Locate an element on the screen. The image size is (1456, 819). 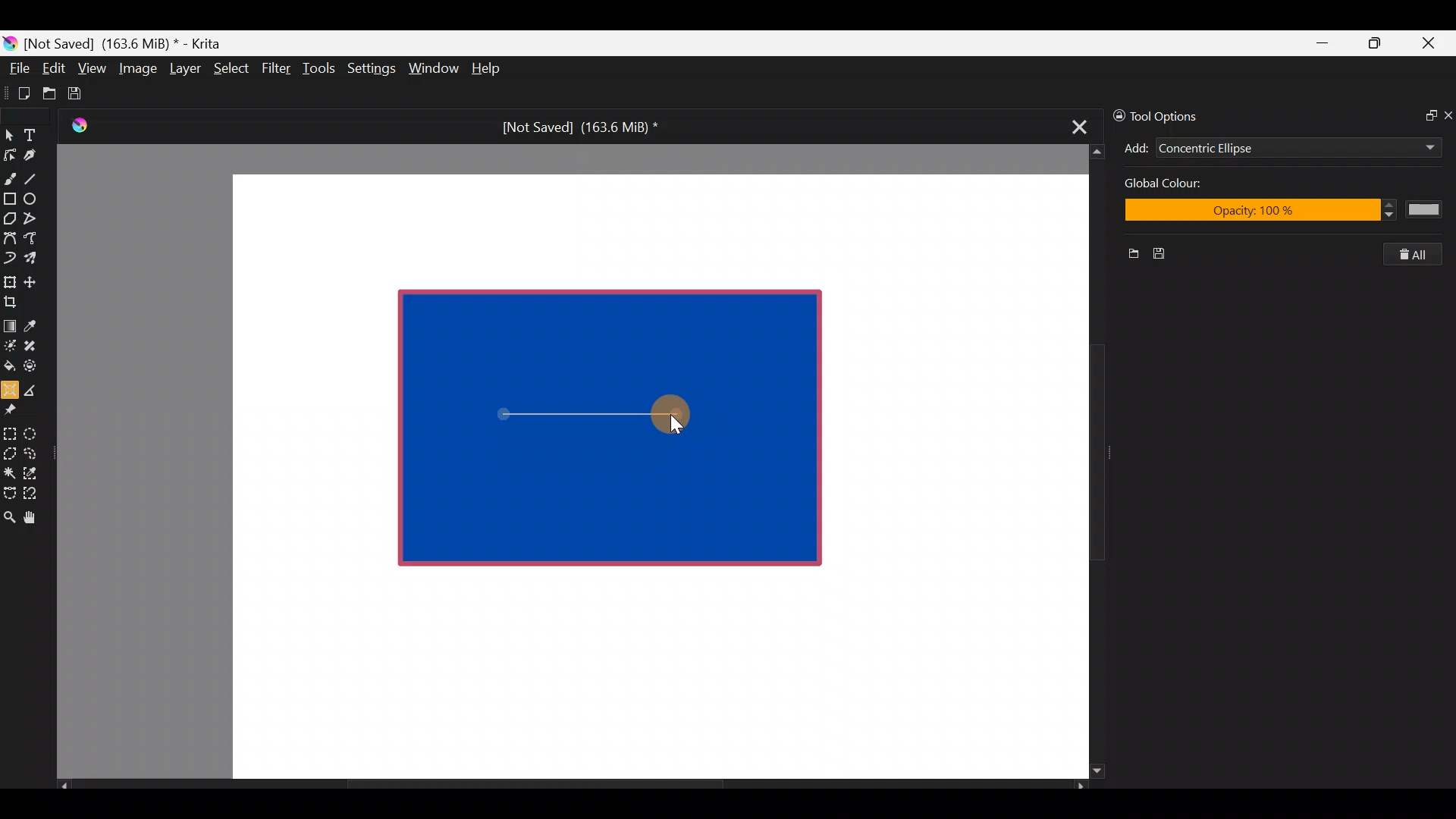
Fill a contiguous area of colour with colour/fill a selection is located at coordinates (9, 362).